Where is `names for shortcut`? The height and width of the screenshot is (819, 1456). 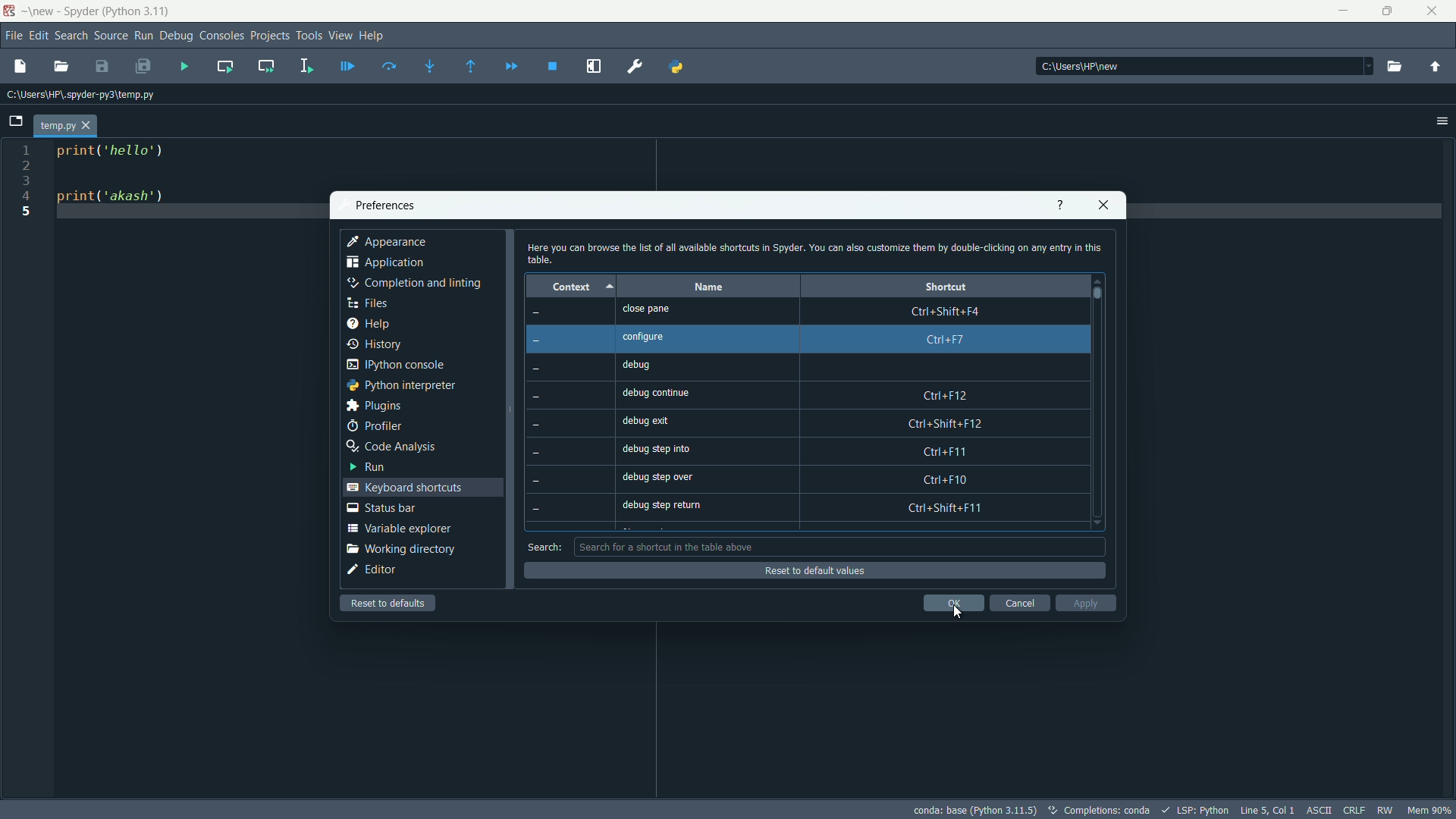
names for shortcut is located at coordinates (673, 407).